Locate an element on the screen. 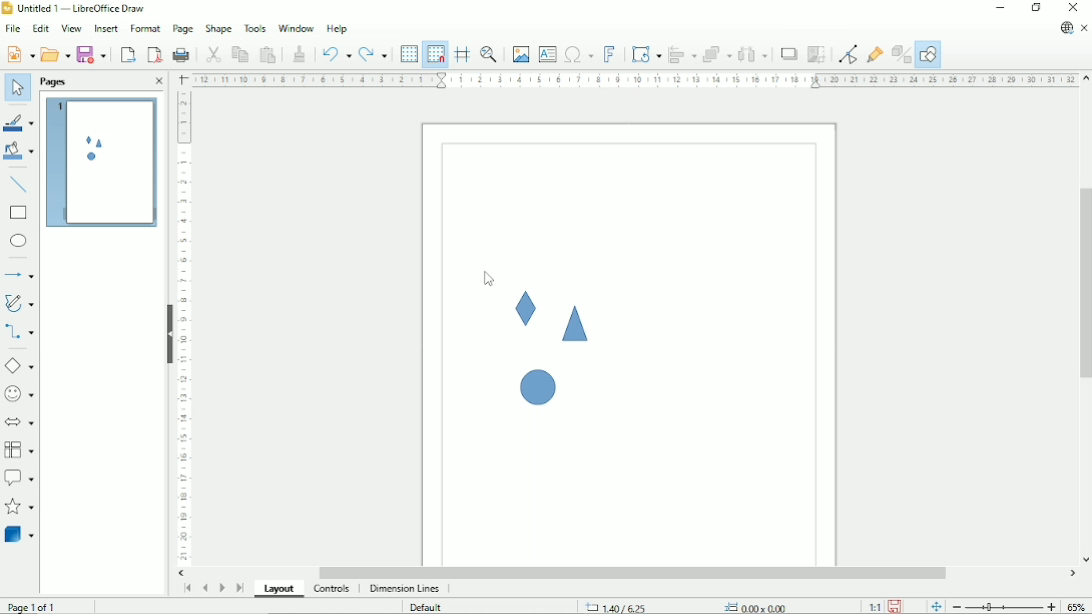 The width and height of the screenshot is (1092, 614). Rectangle is located at coordinates (19, 213).